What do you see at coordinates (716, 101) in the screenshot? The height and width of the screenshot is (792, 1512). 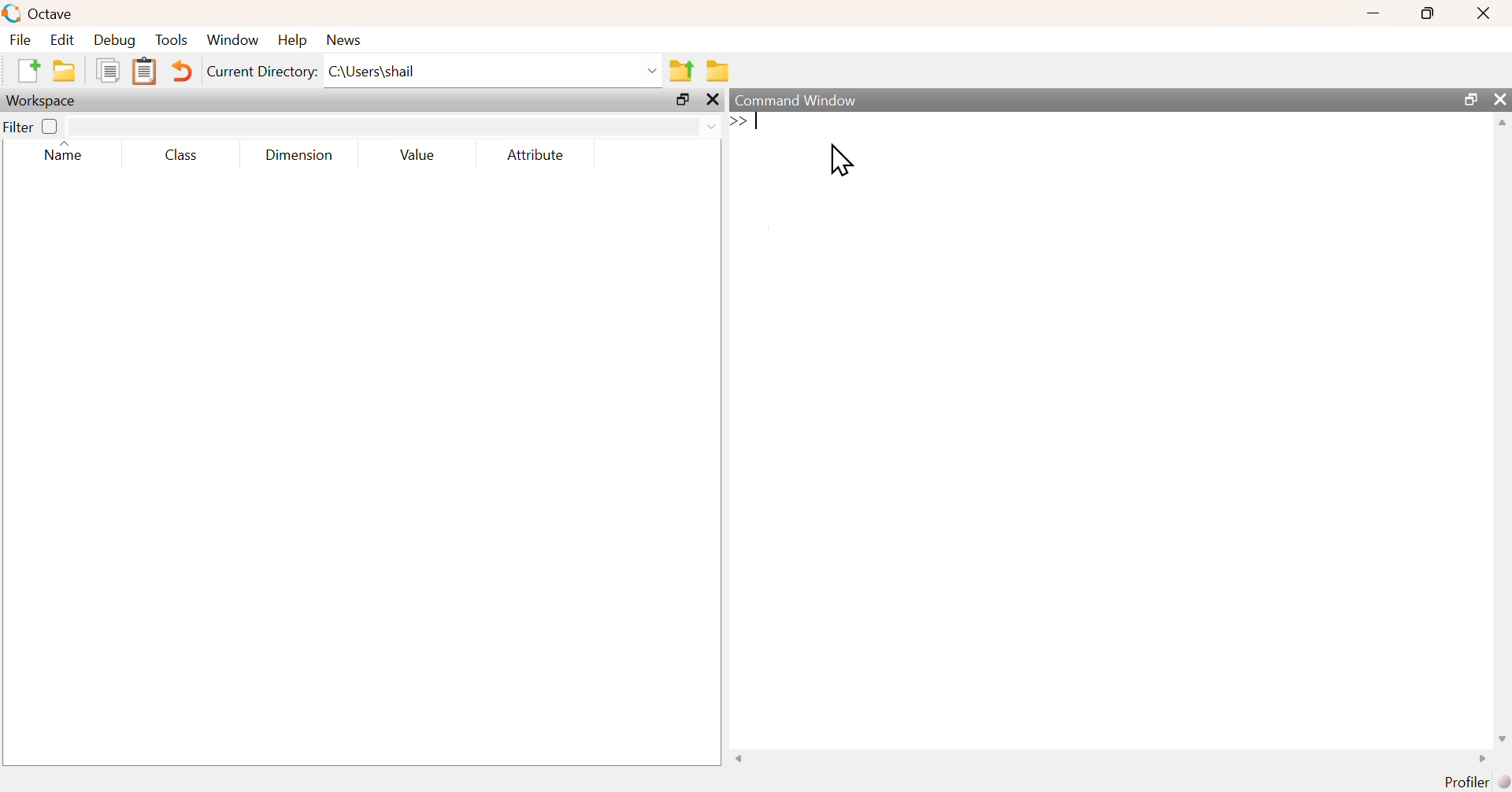 I see `Close` at bounding box center [716, 101].